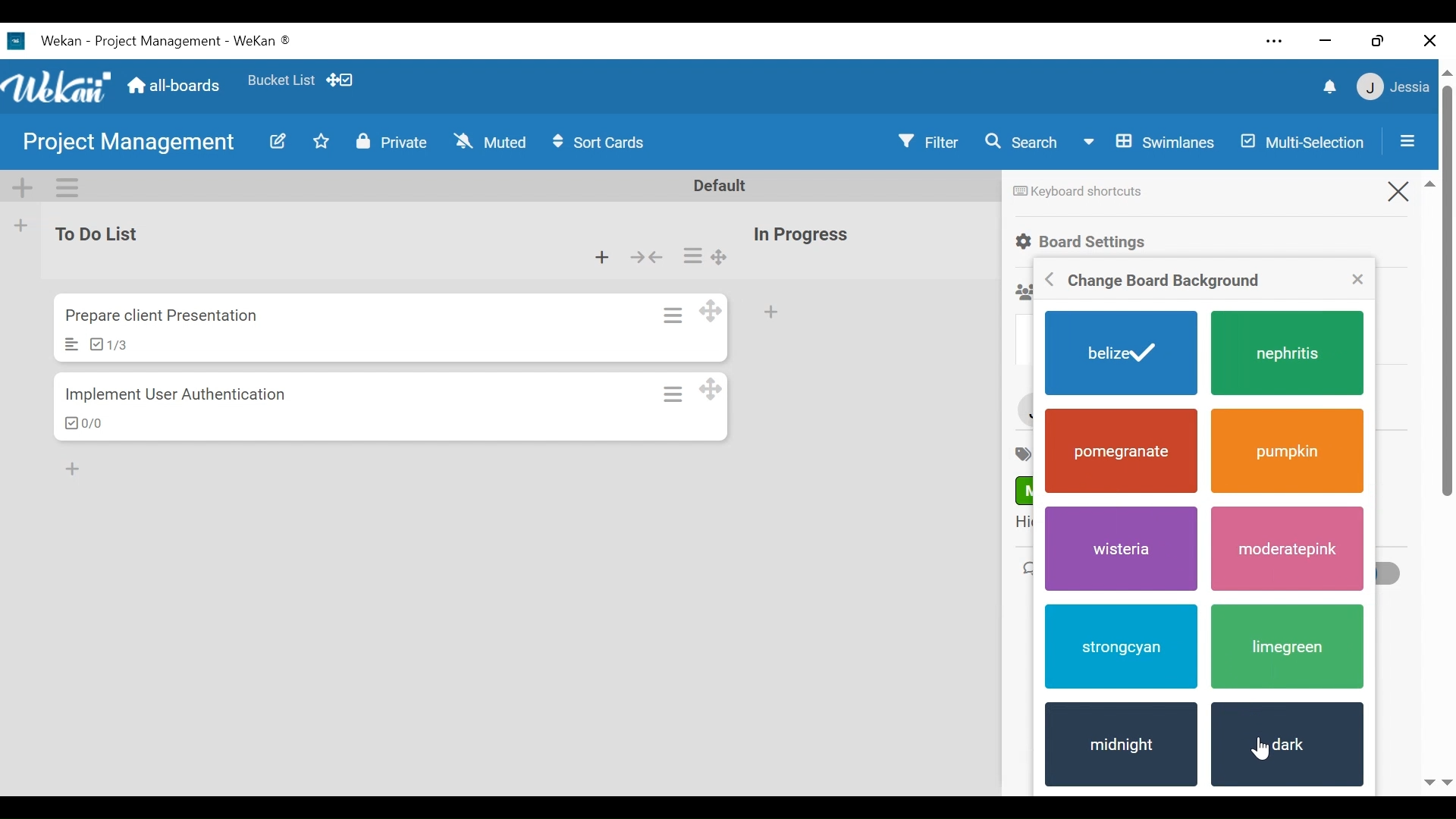 Image resolution: width=1456 pixels, height=819 pixels. What do you see at coordinates (1379, 41) in the screenshot?
I see `restore` at bounding box center [1379, 41].